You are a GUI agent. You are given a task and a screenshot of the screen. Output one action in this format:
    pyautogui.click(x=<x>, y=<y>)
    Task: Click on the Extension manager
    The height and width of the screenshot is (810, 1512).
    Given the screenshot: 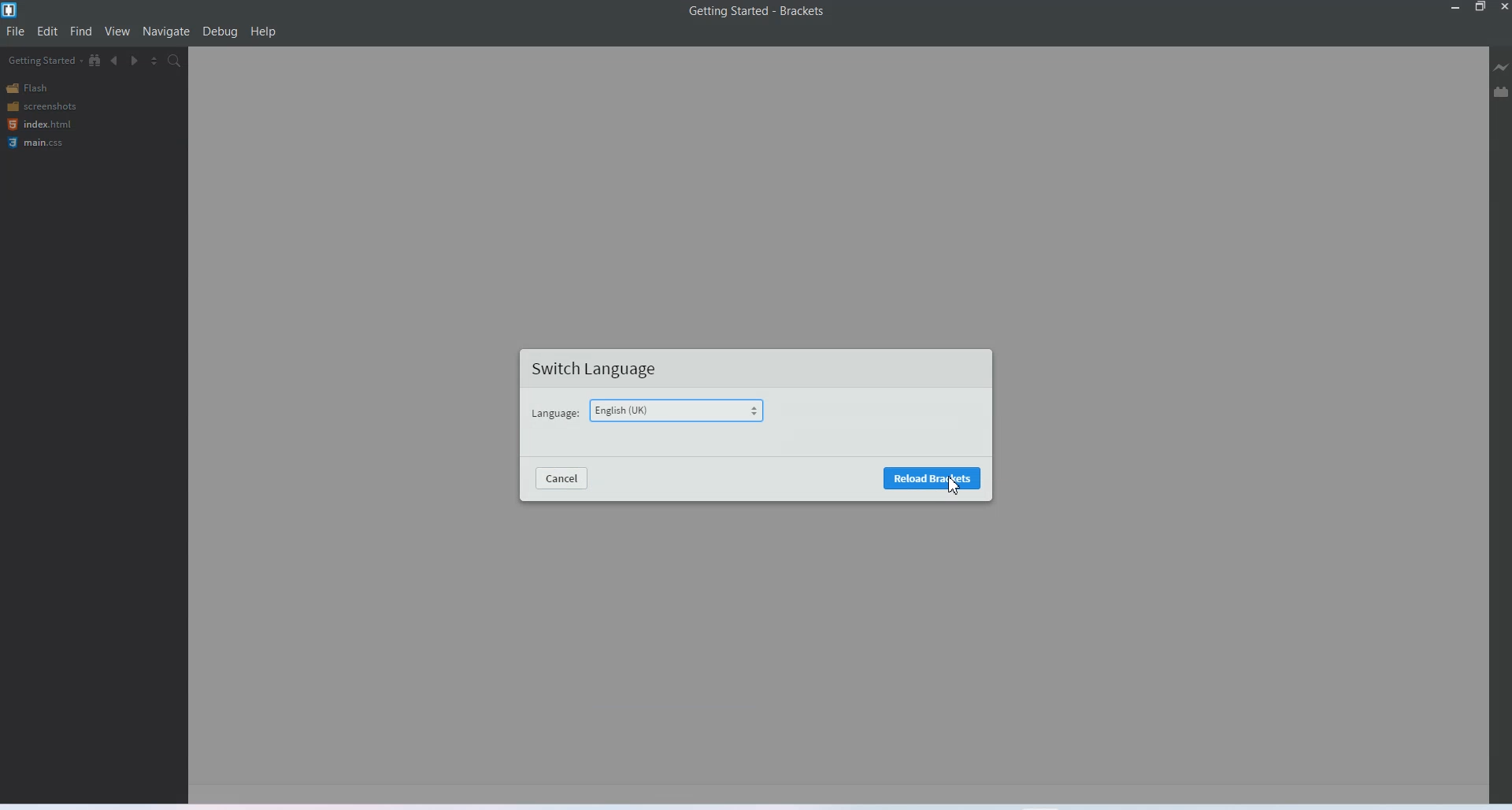 What is the action you would take?
    pyautogui.click(x=1501, y=91)
    